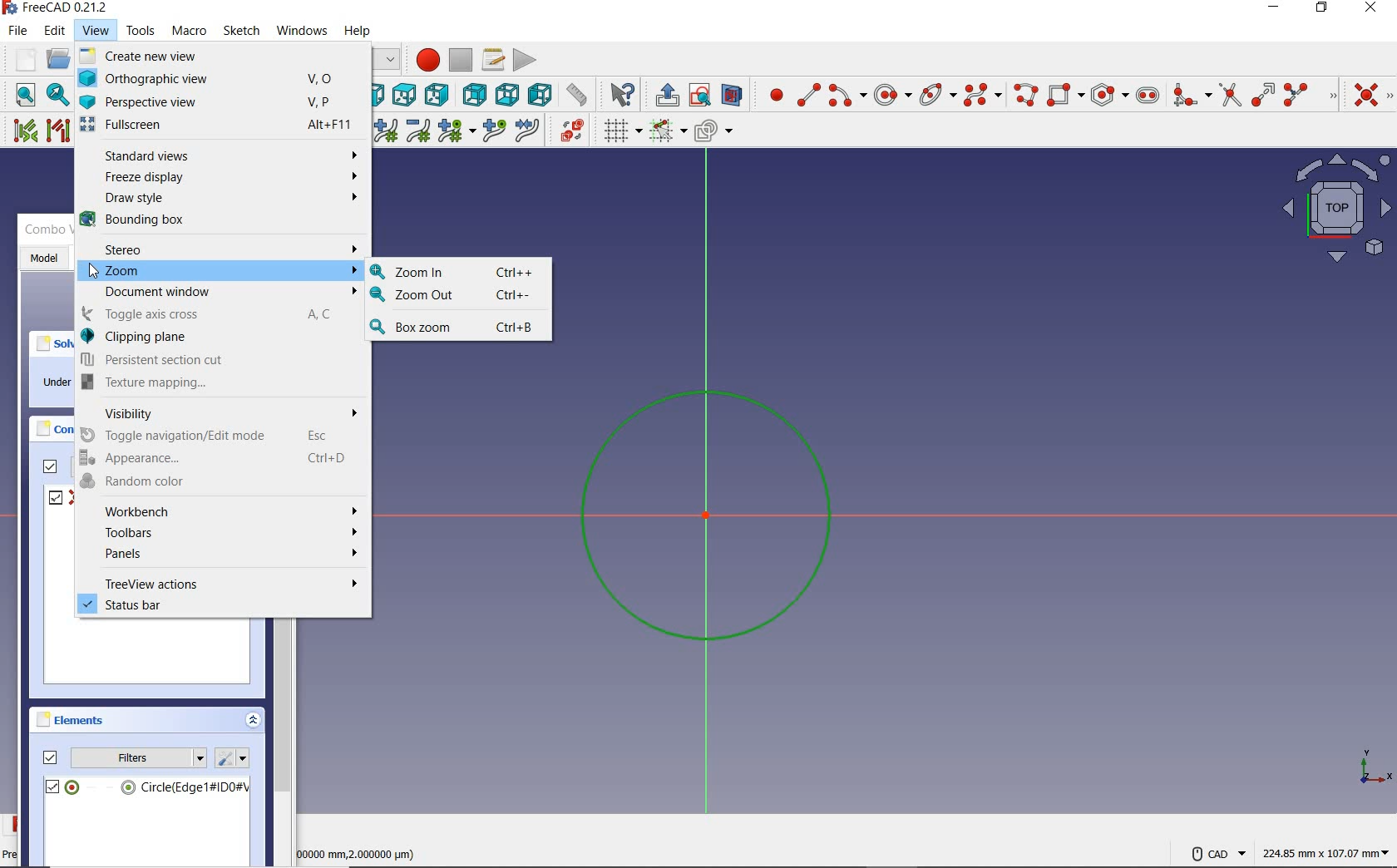 This screenshot has width=1397, height=868. I want to click on Panels , so click(222, 555).